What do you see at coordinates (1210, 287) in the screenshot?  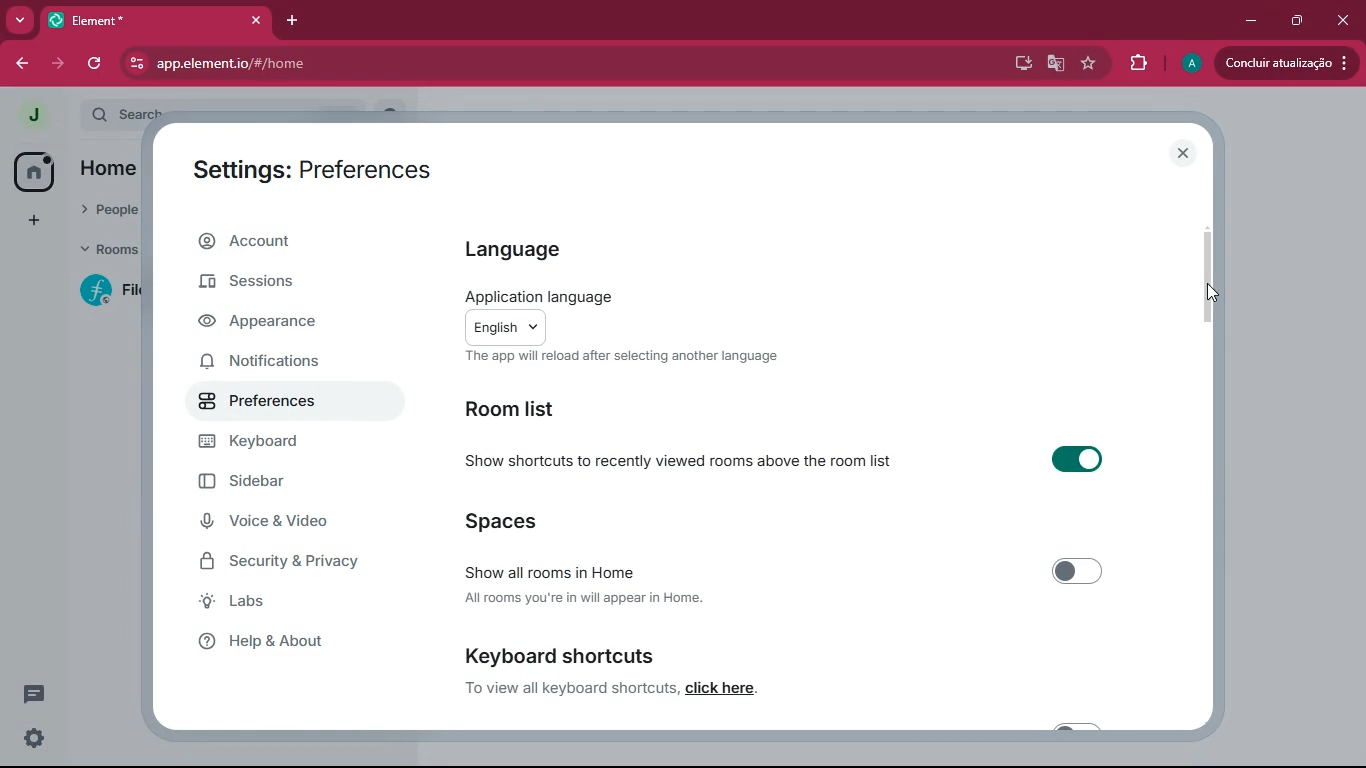 I see `scroll bar` at bounding box center [1210, 287].